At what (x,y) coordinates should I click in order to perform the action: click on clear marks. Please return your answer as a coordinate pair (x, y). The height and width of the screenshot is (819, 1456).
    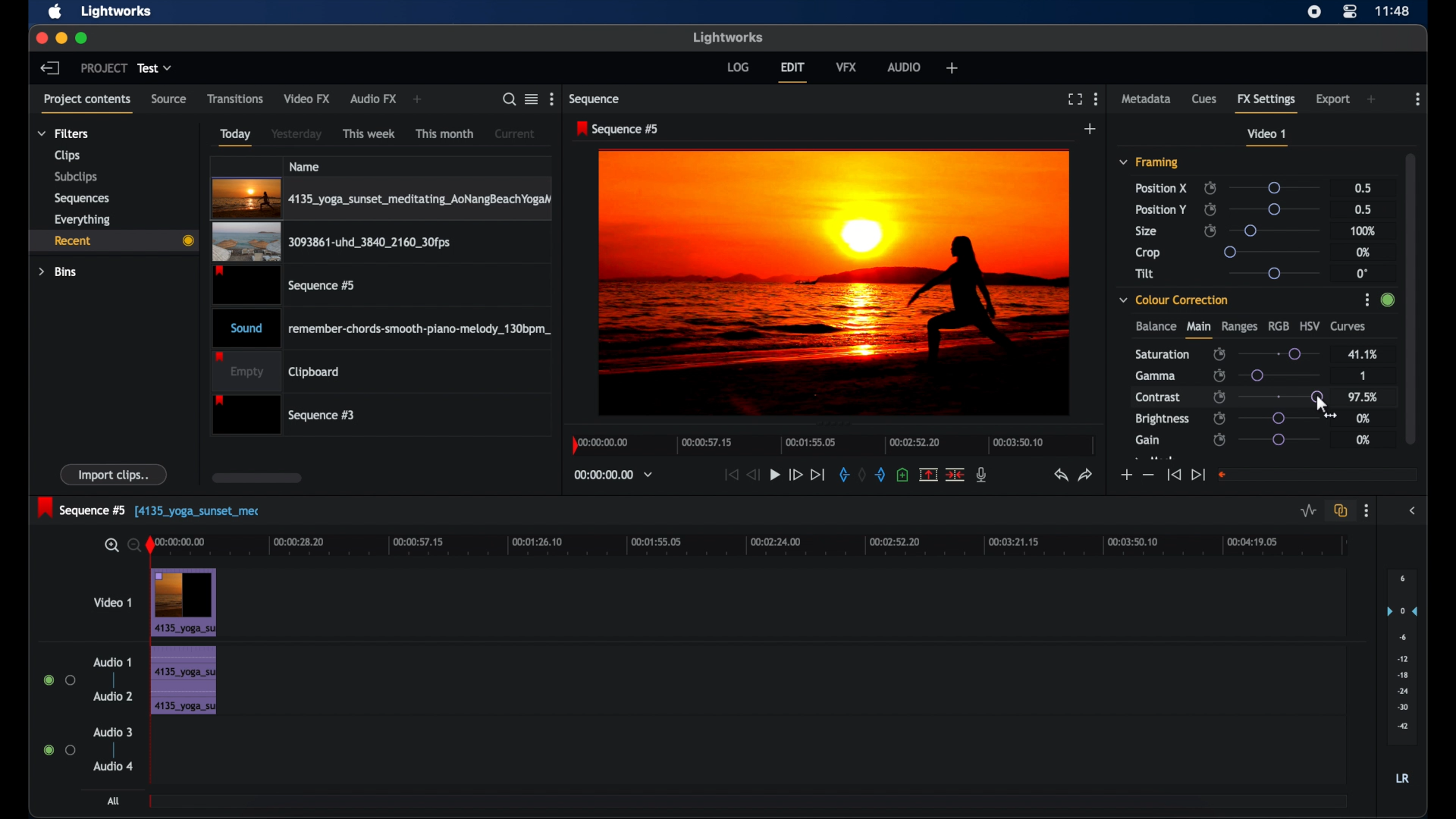
    Looking at the image, I should click on (863, 475).